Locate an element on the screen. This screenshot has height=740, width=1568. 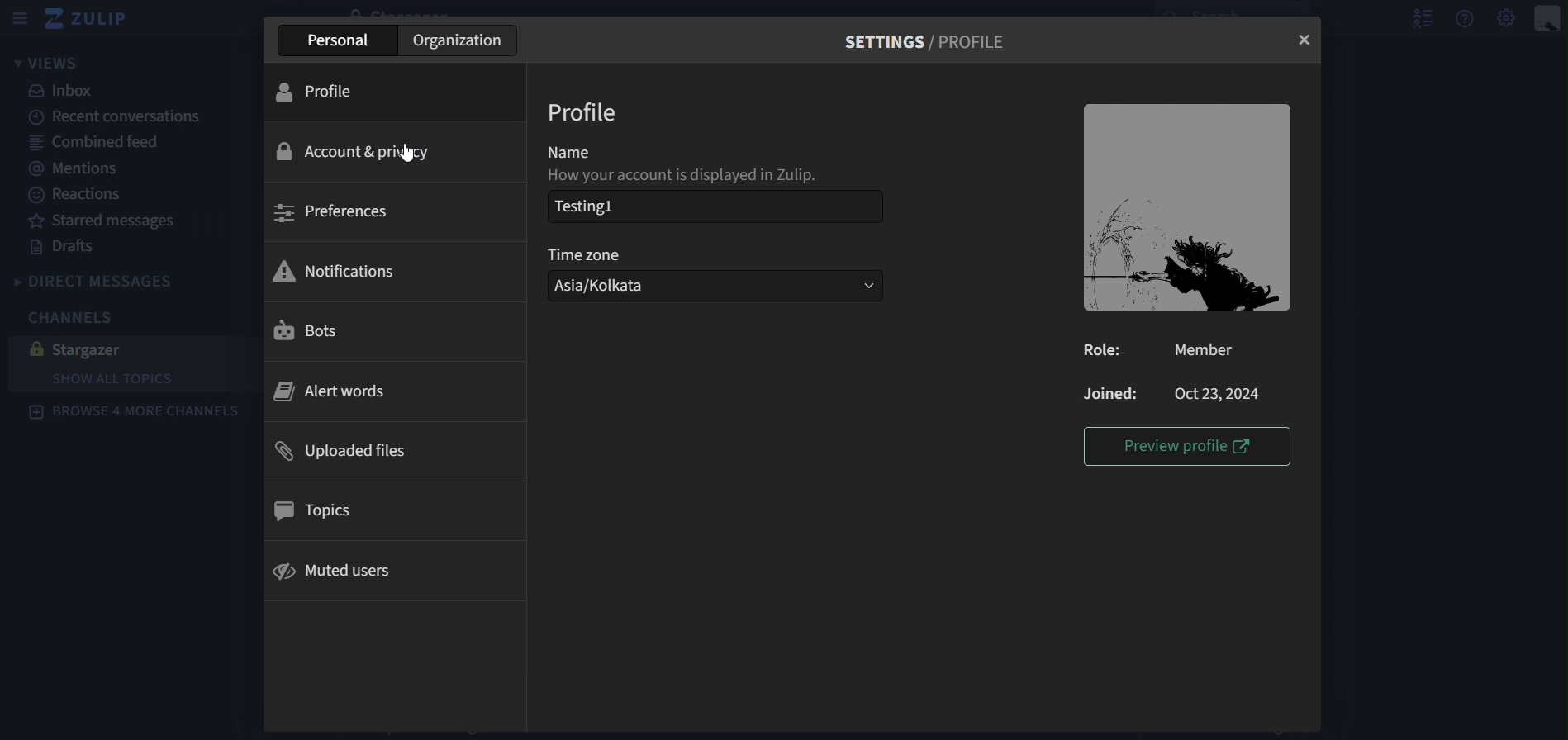
notifications is located at coordinates (337, 273).